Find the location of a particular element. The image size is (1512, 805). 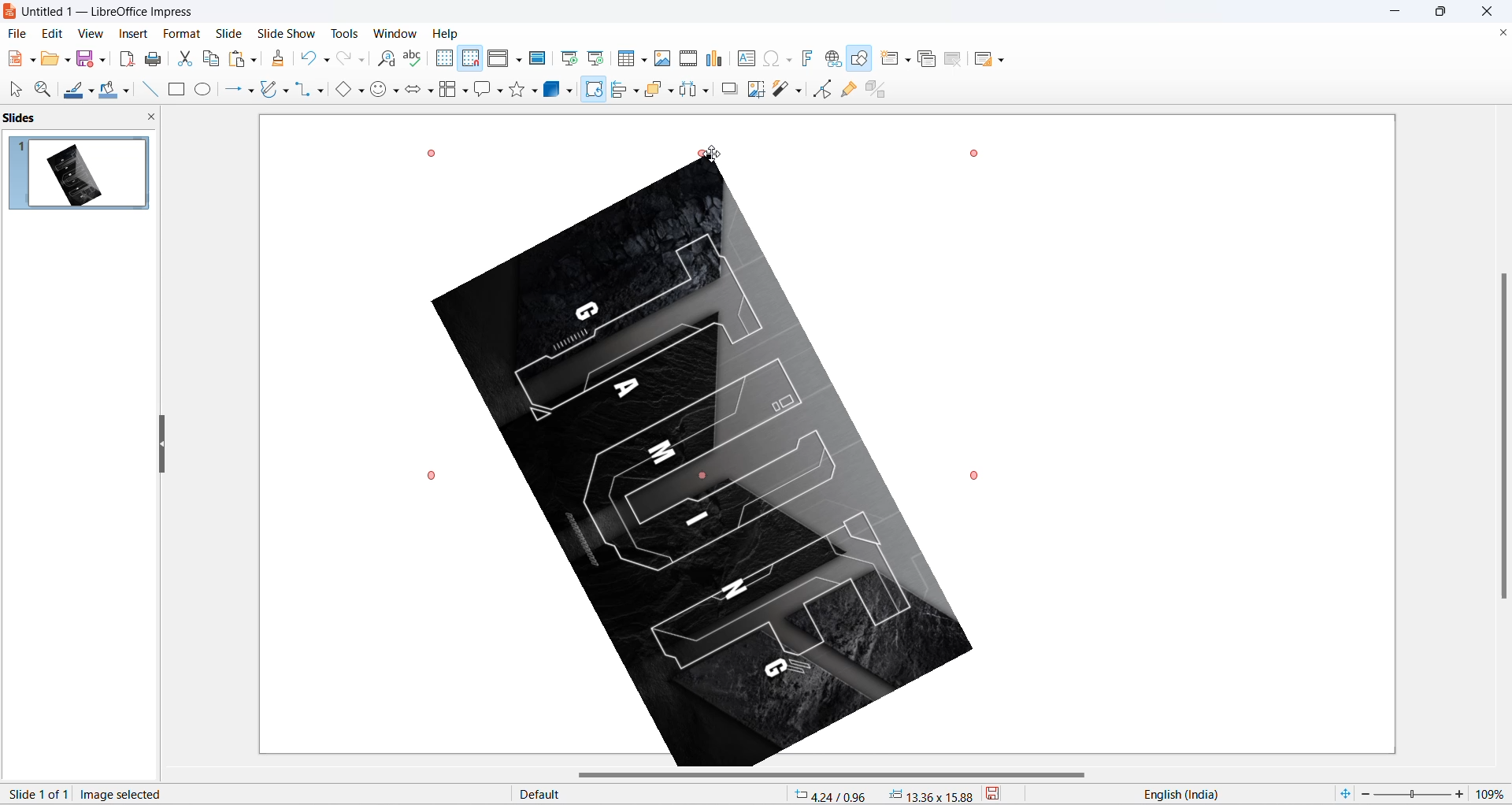

vertical scroll bar is located at coordinates (1503, 434).